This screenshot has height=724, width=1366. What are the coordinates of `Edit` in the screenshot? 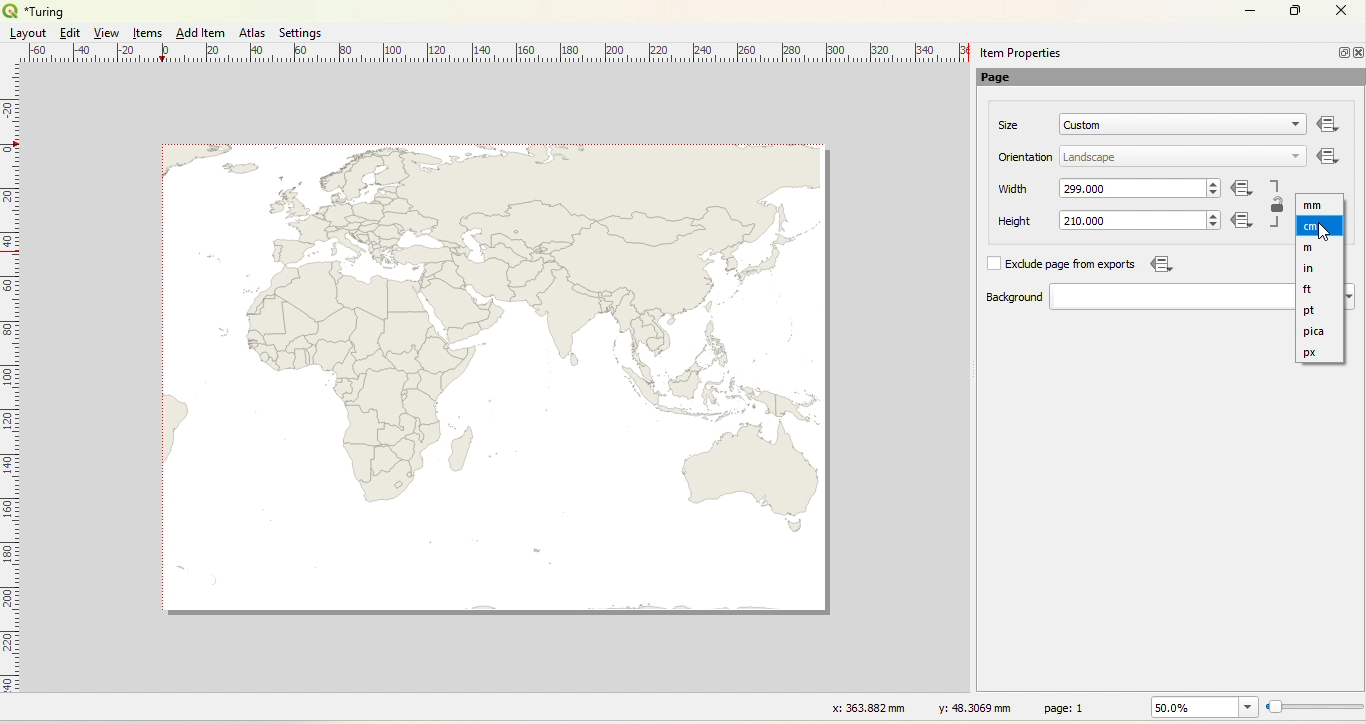 It's located at (68, 33).